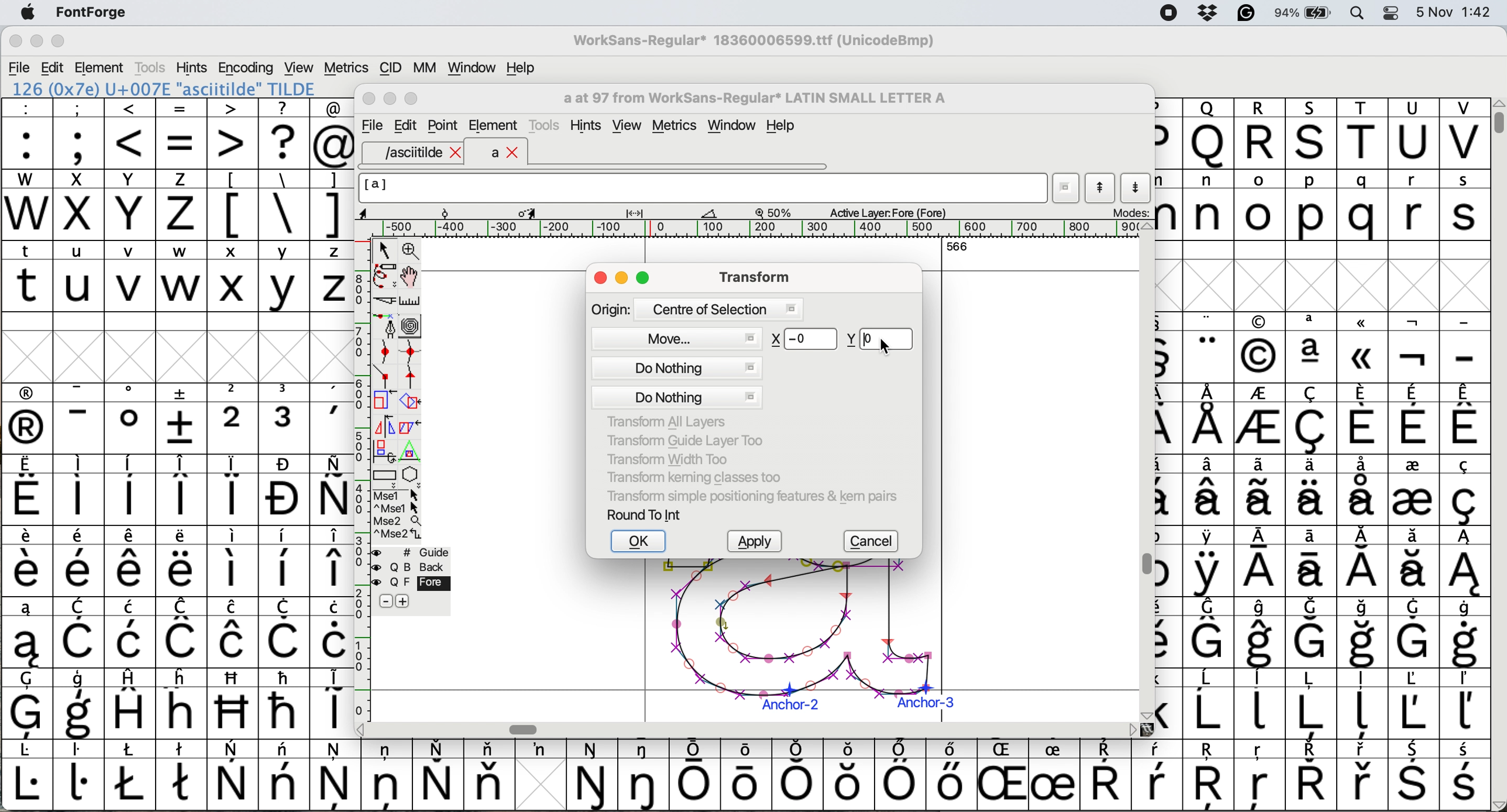 This screenshot has width=1507, height=812. What do you see at coordinates (1365, 705) in the screenshot?
I see `symbol` at bounding box center [1365, 705].